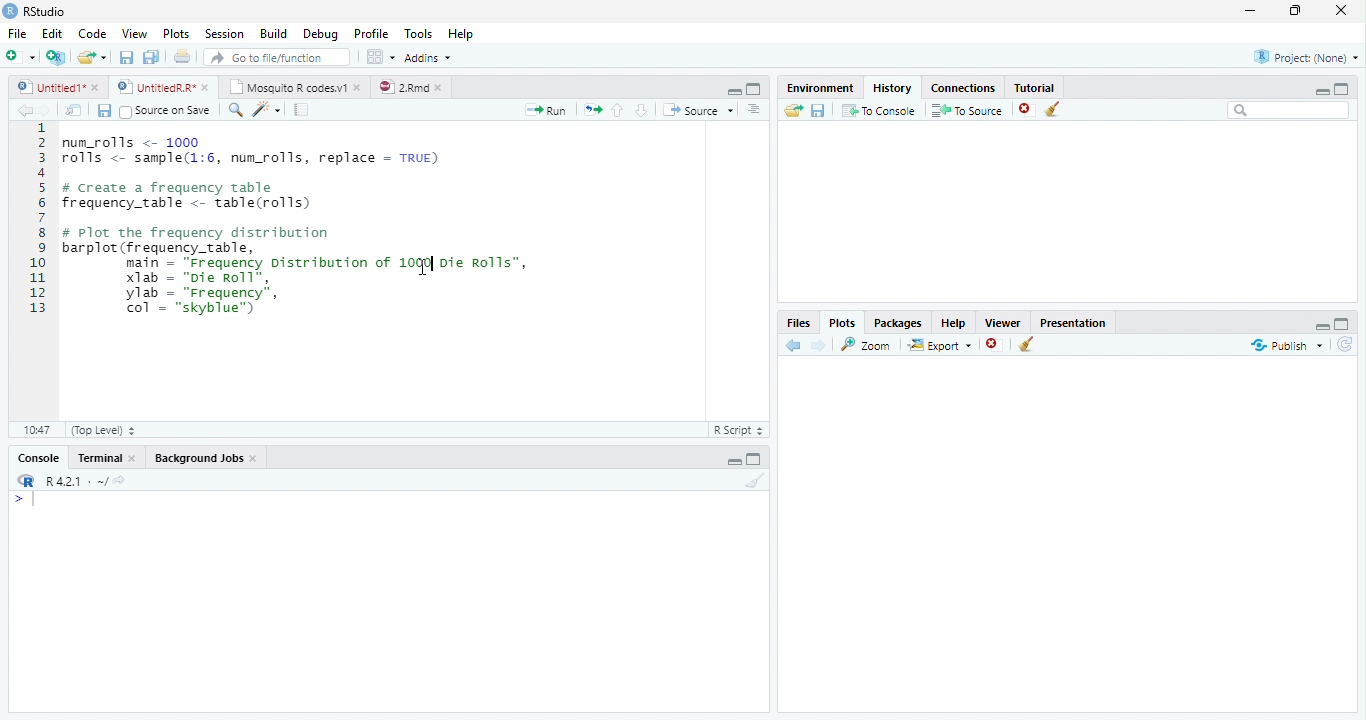 The height and width of the screenshot is (720, 1366). I want to click on Hide, so click(731, 461).